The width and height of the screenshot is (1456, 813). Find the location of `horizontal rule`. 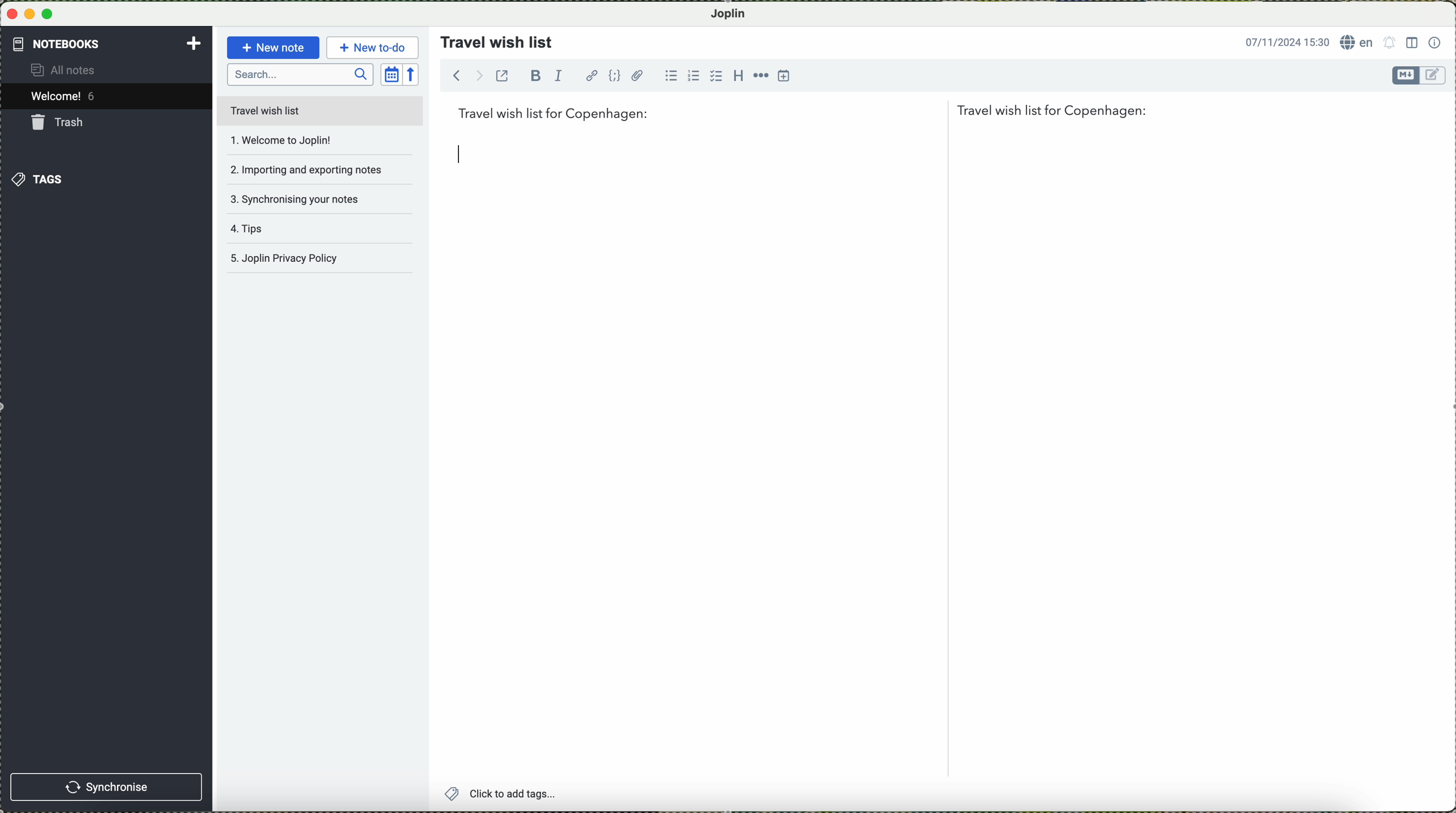

horizontal rule is located at coordinates (760, 75).